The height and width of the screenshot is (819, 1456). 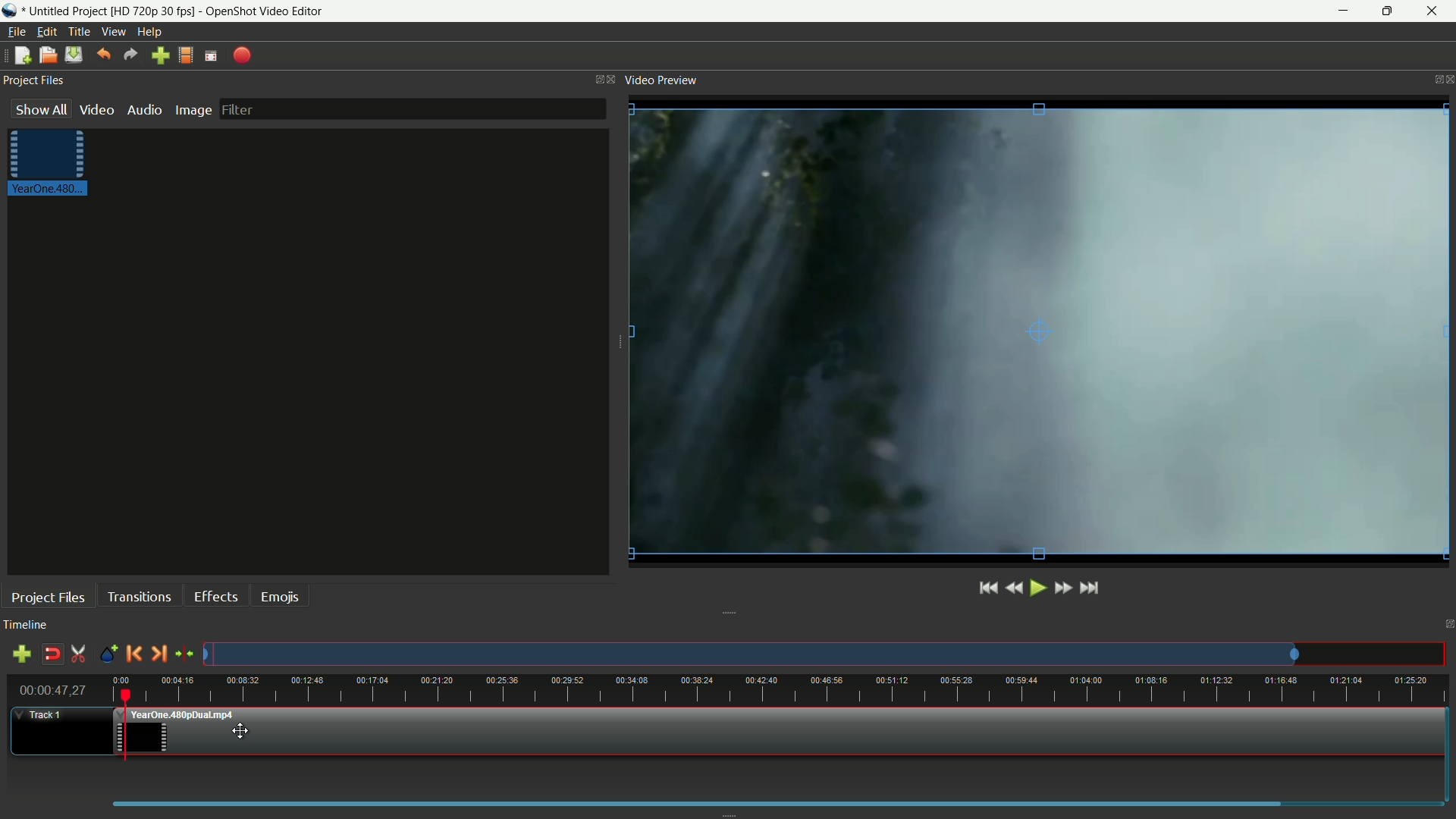 I want to click on next marker, so click(x=156, y=654).